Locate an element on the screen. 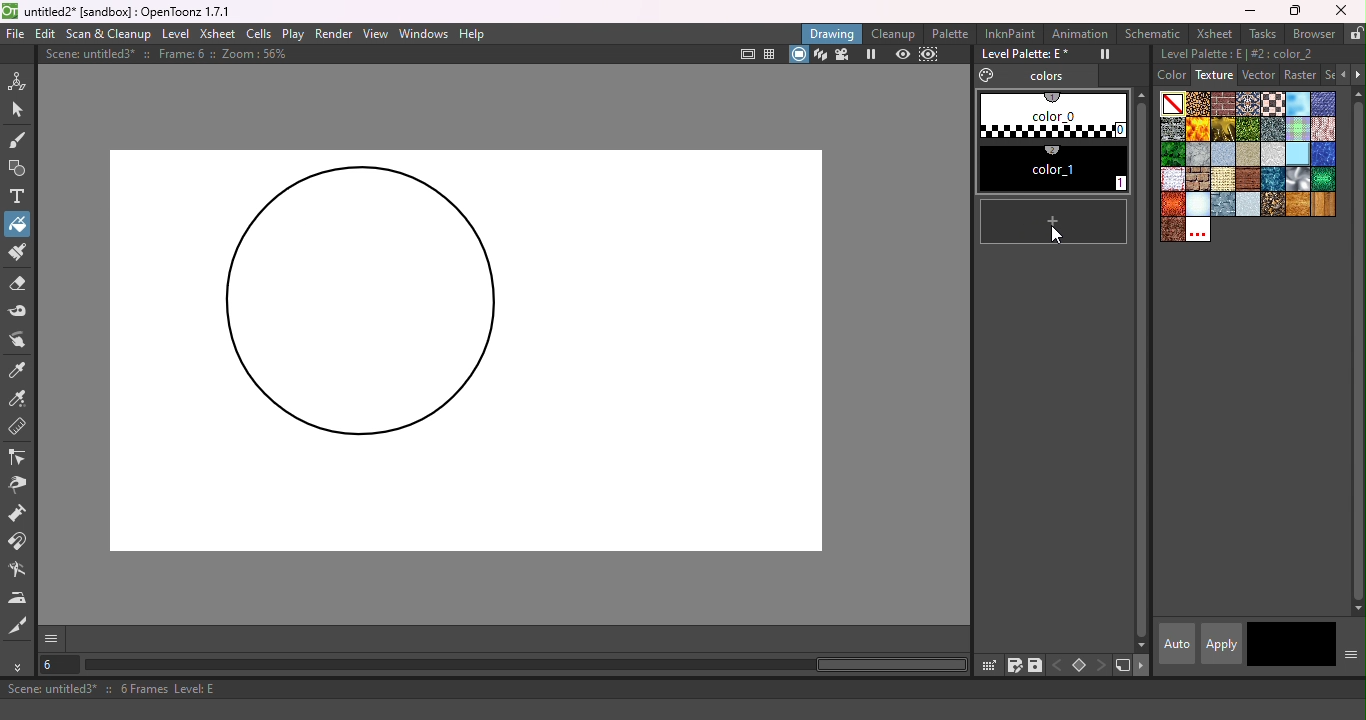 The image size is (1366, 720). 3D view is located at coordinates (820, 54).